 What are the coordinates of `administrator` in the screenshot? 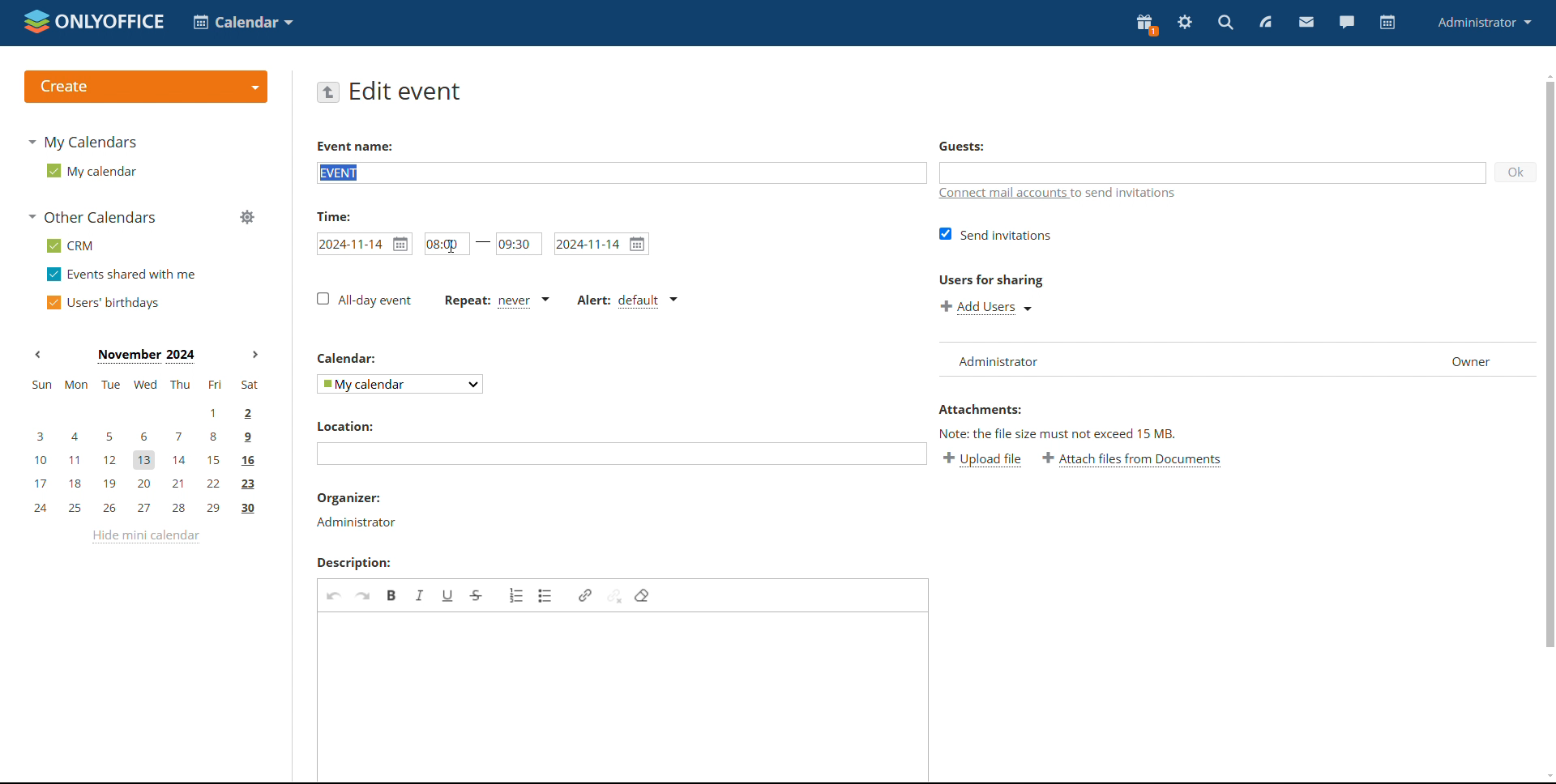 It's located at (1486, 23).